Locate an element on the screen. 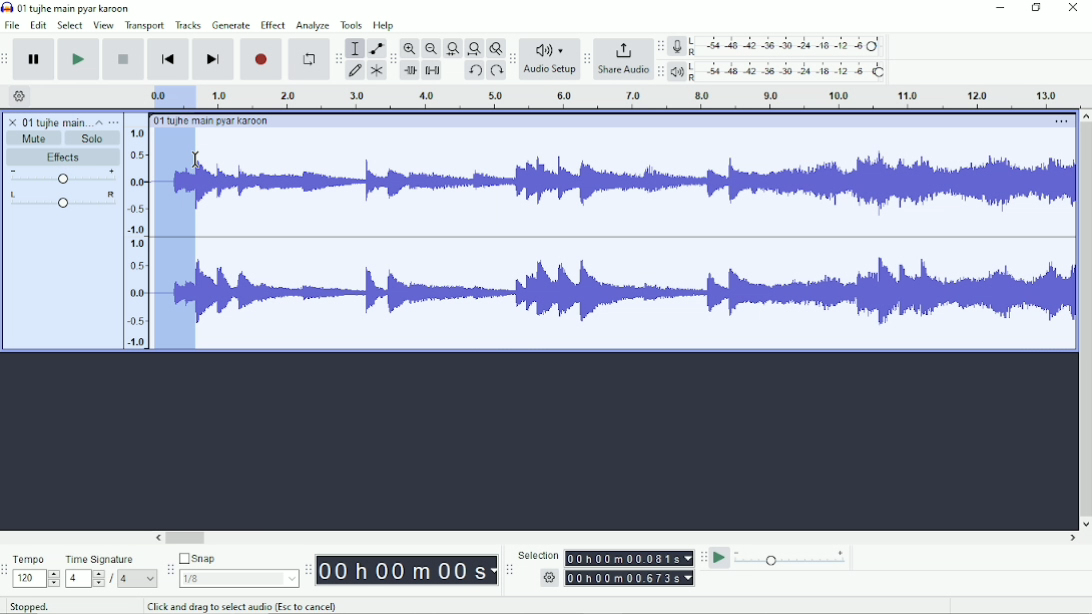 Image resolution: width=1092 pixels, height=614 pixels. Audacity time toolbar is located at coordinates (307, 570).